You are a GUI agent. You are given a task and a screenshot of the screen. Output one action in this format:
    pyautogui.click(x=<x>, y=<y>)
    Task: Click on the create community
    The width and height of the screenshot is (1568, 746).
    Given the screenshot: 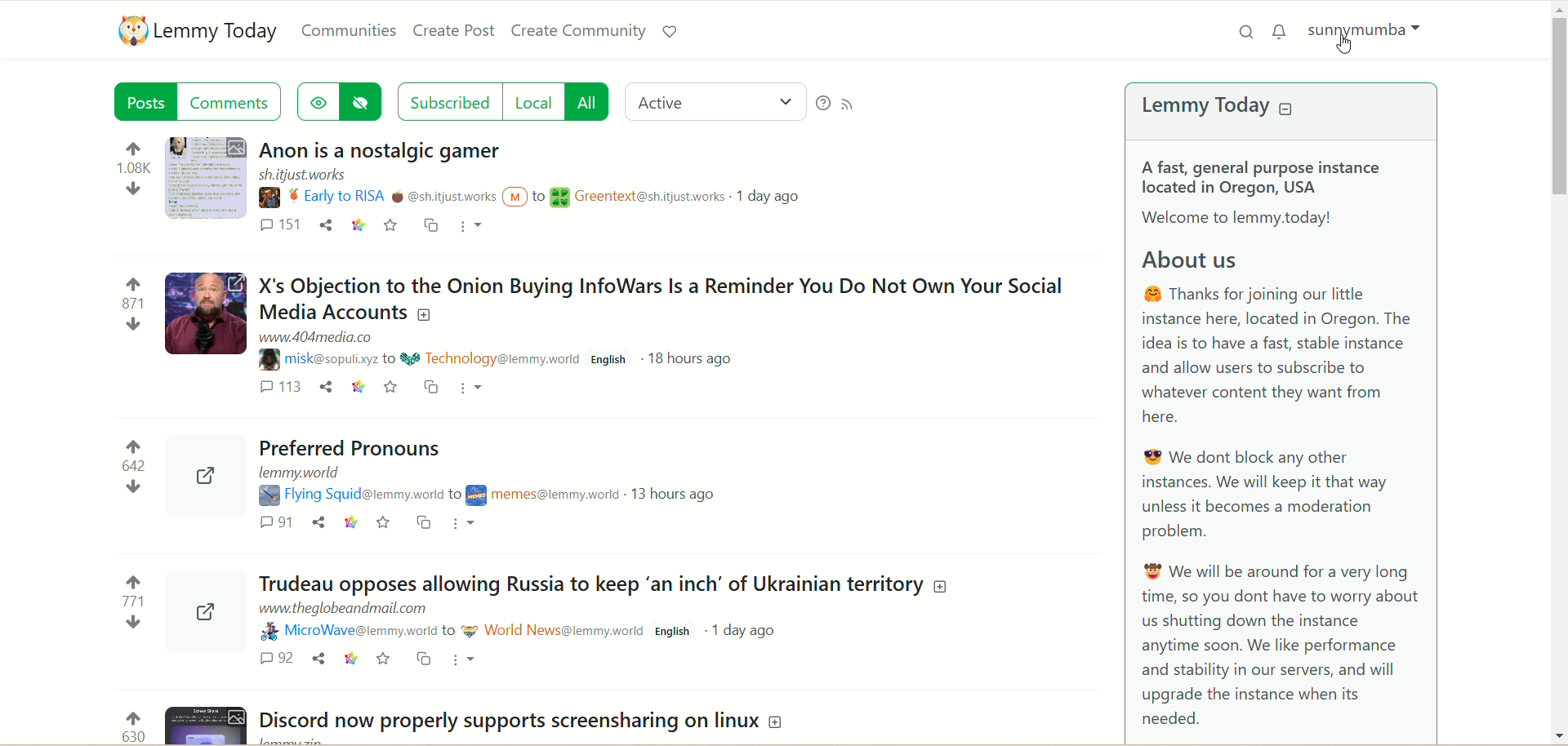 What is the action you would take?
    pyautogui.click(x=577, y=30)
    